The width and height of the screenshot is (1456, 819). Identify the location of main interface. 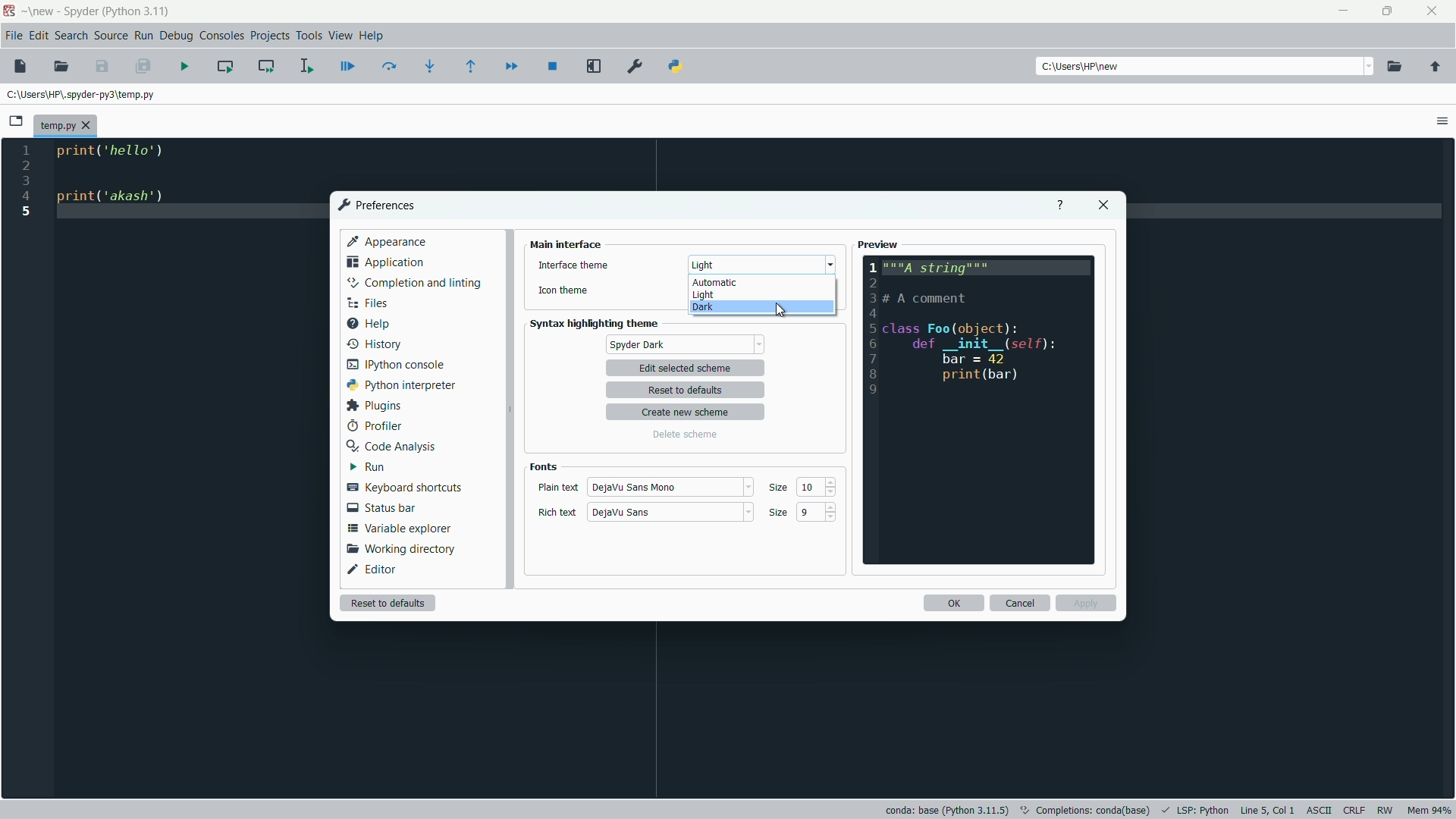
(566, 244).